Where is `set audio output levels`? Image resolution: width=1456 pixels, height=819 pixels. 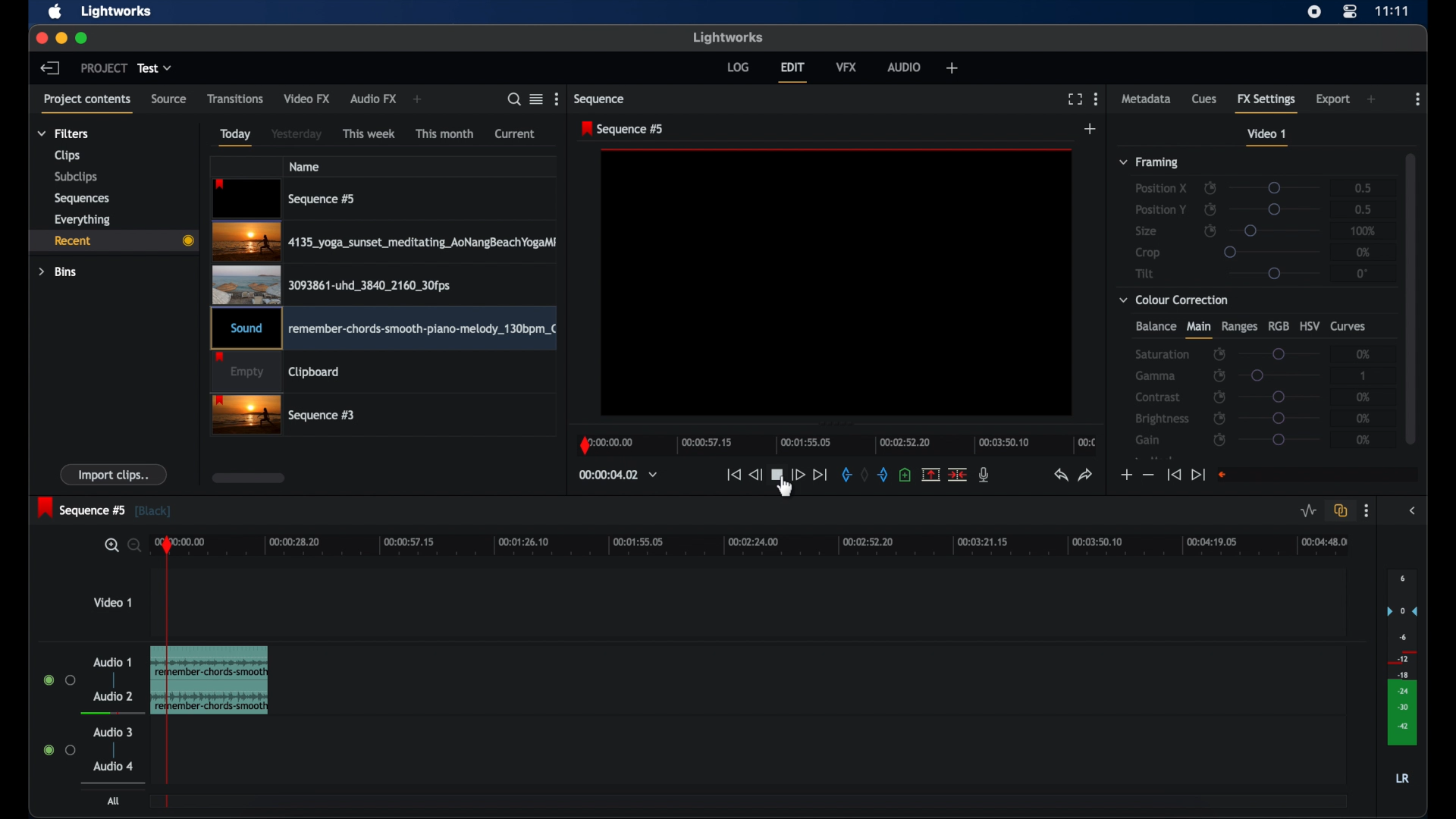 set audio output levels is located at coordinates (1401, 656).